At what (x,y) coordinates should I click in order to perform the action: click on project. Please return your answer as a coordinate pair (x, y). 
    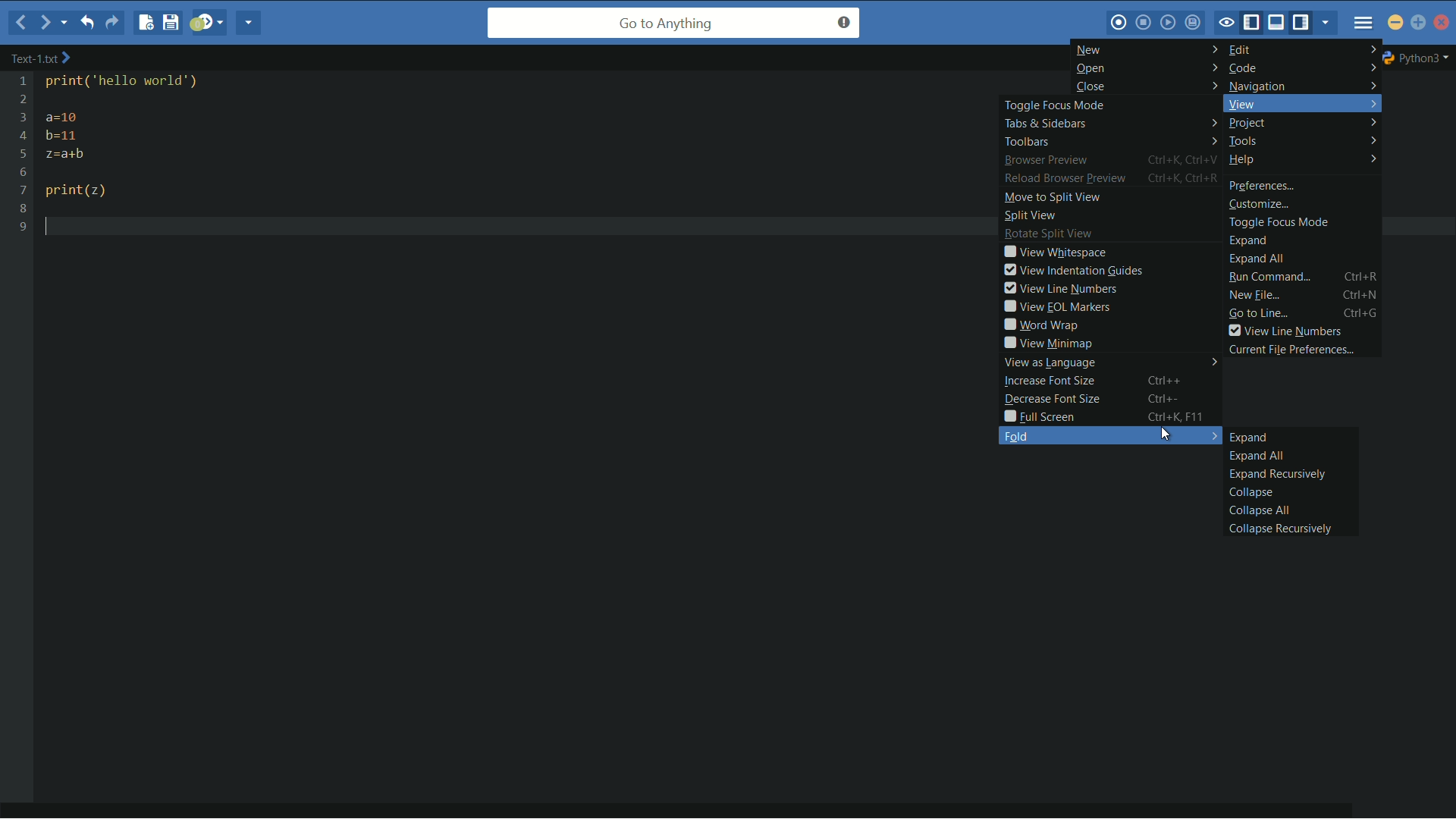
    Looking at the image, I should click on (1304, 124).